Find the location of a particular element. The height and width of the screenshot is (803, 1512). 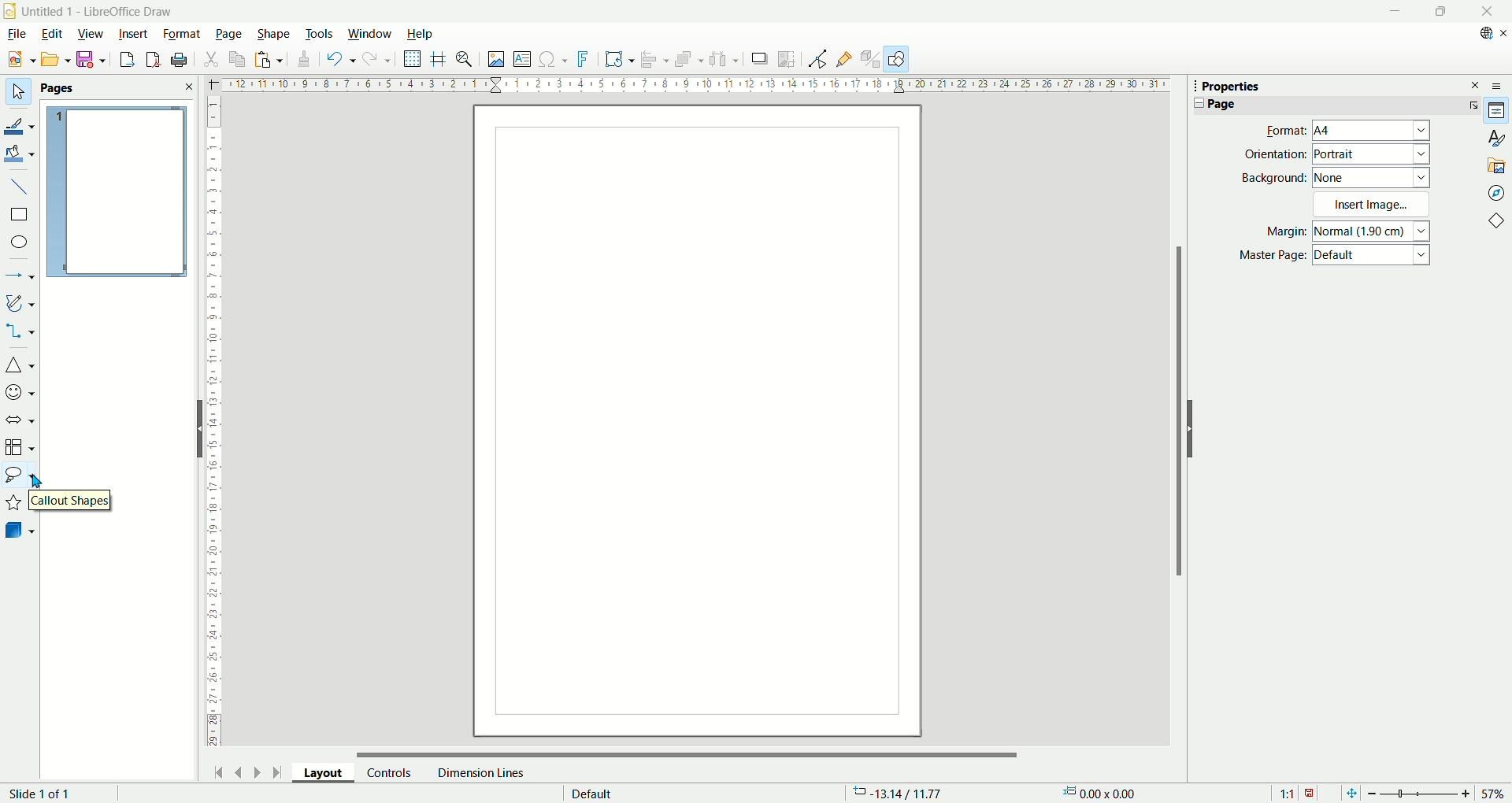

Close sidebar deck is located at coordinates (1476, 84).